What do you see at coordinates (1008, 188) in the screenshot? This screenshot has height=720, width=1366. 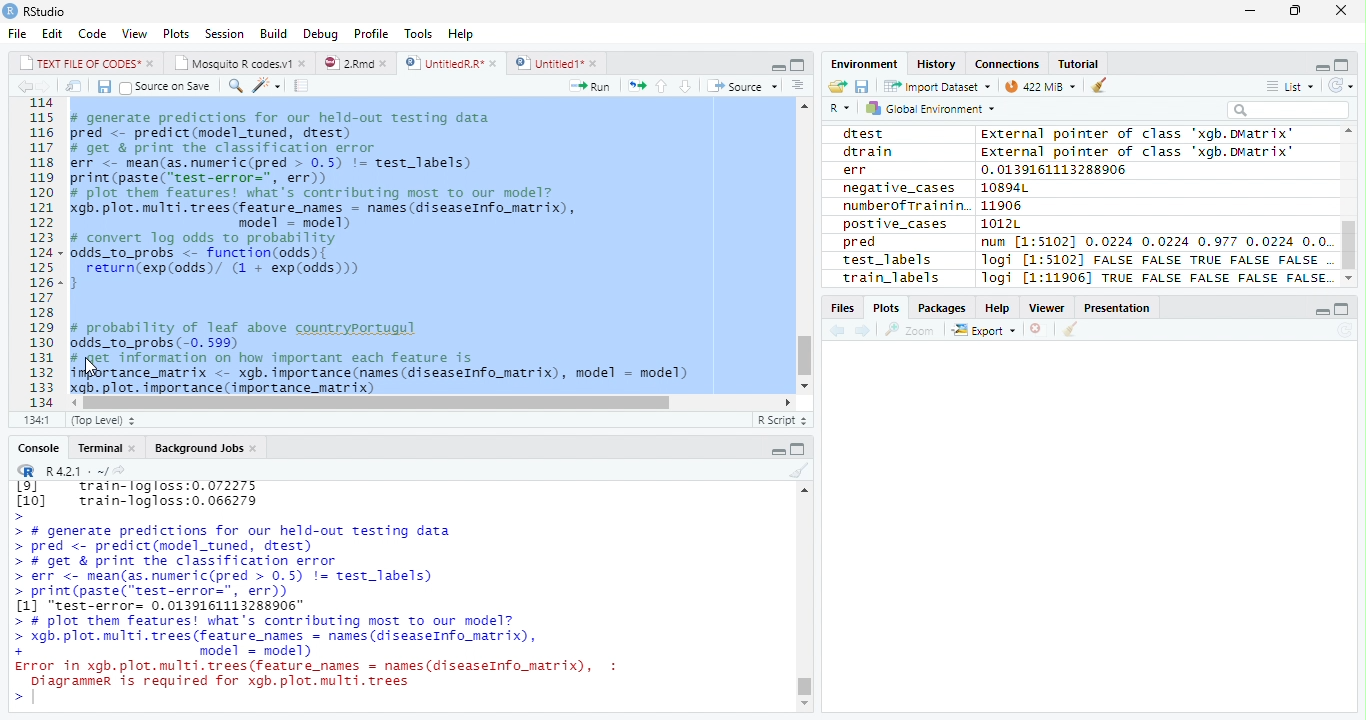 I see `10894L` at bounding box center [1008, 188].